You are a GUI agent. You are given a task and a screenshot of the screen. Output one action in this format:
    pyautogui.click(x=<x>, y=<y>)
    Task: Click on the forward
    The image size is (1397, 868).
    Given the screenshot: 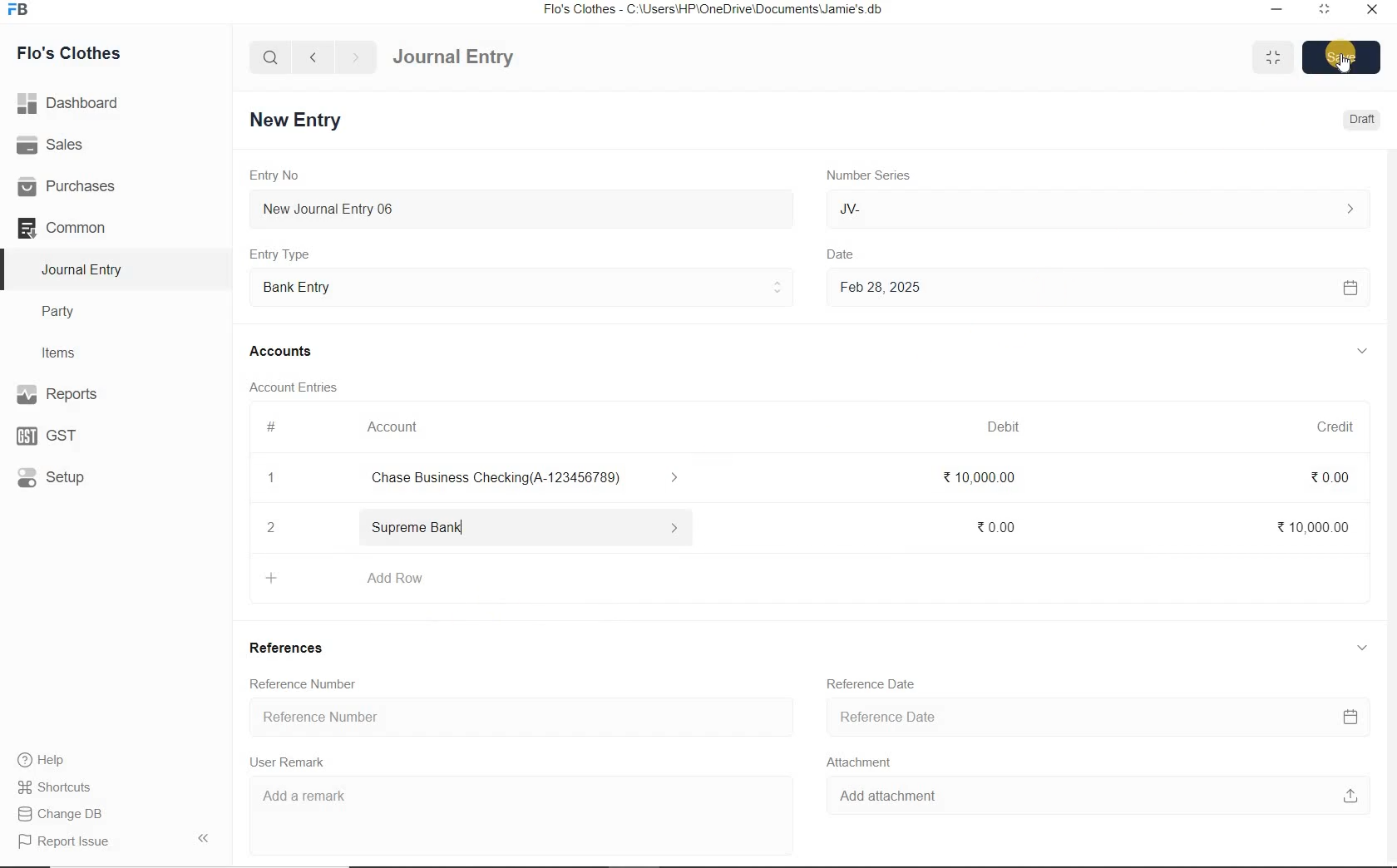 What is the action you would take?
    pyautogui.click(x=357, y=57)
    